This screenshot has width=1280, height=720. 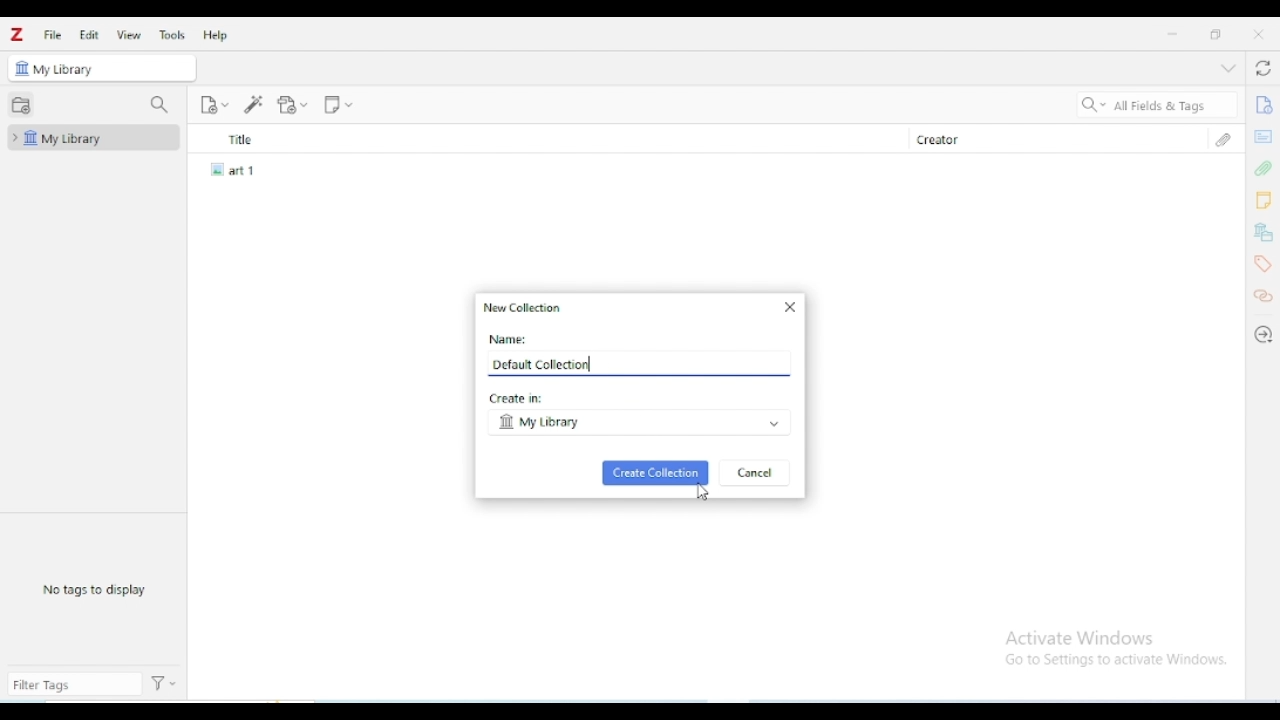 What do you see at coordinates (540, 365) in the screenshot?
I see `Default Collection` at bounding box center [540, 365].